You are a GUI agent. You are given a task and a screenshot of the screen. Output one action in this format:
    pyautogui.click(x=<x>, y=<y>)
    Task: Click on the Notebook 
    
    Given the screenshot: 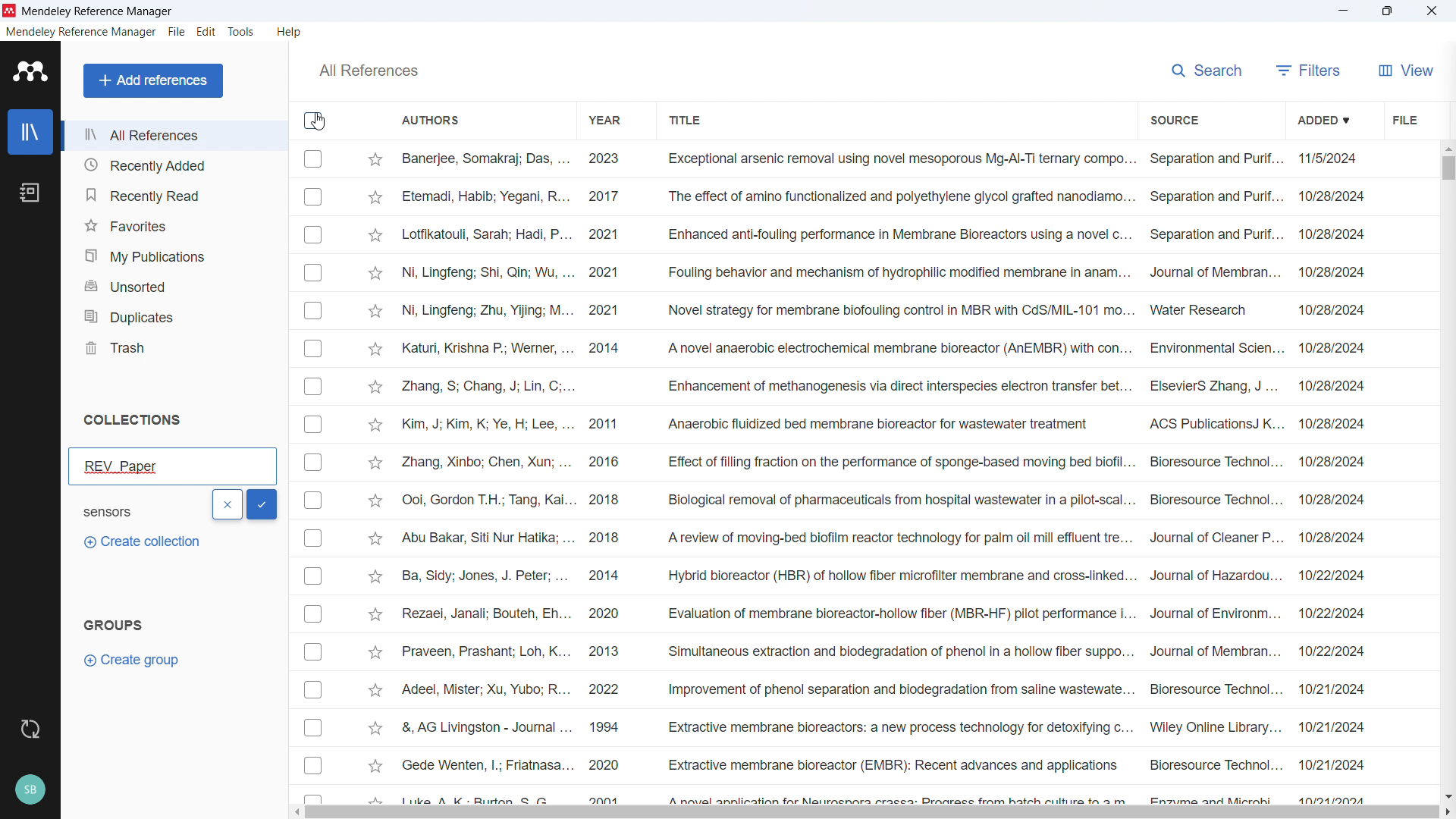 What is the action you would take?
    pyautogui.click(x=30, y=193)
    